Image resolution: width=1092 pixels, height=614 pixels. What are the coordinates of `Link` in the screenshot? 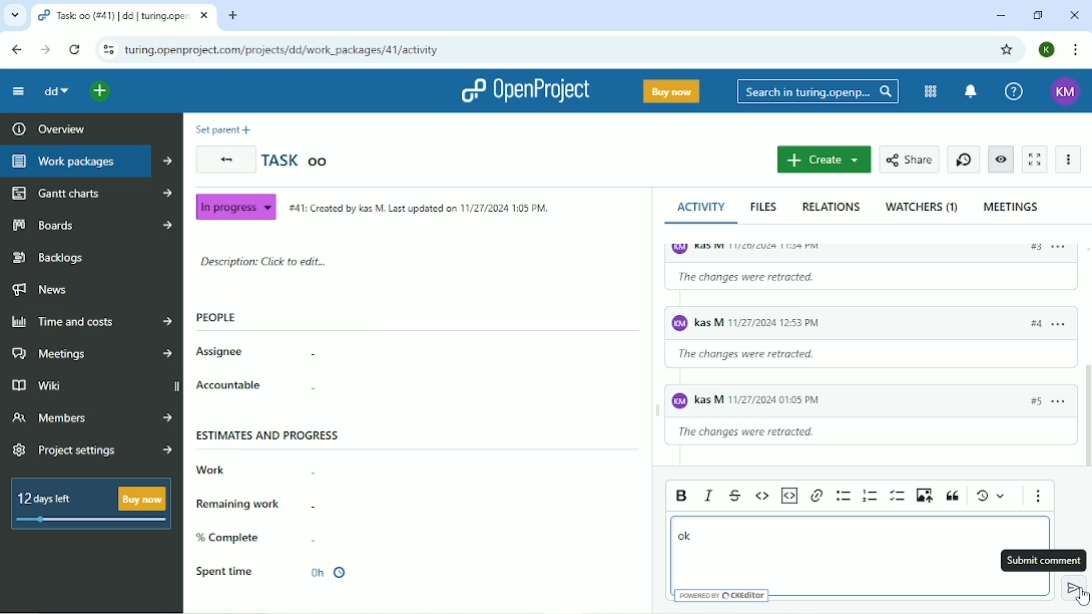 It's located at (816, 496).